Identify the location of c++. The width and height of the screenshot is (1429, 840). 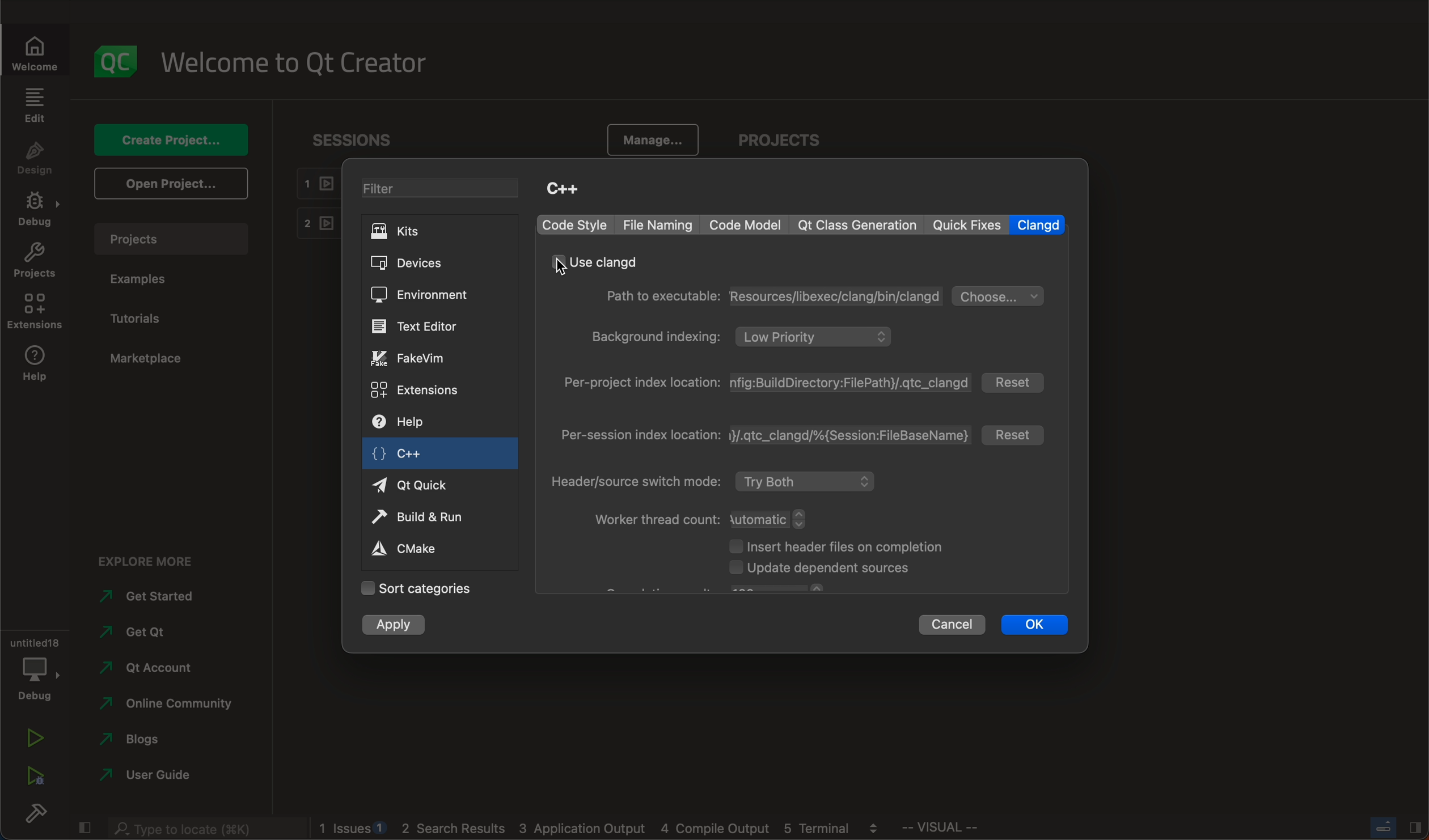
(438, 452).